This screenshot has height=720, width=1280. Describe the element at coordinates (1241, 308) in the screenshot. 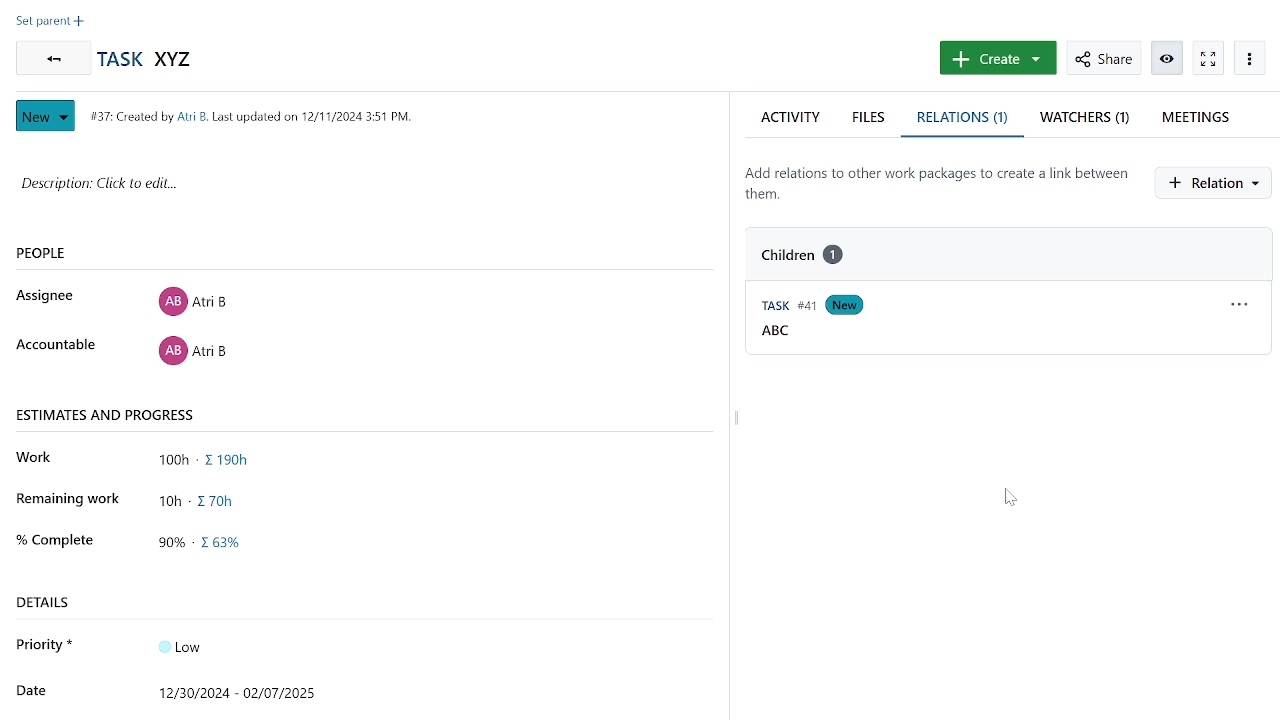

I see `relation actions` at that location.